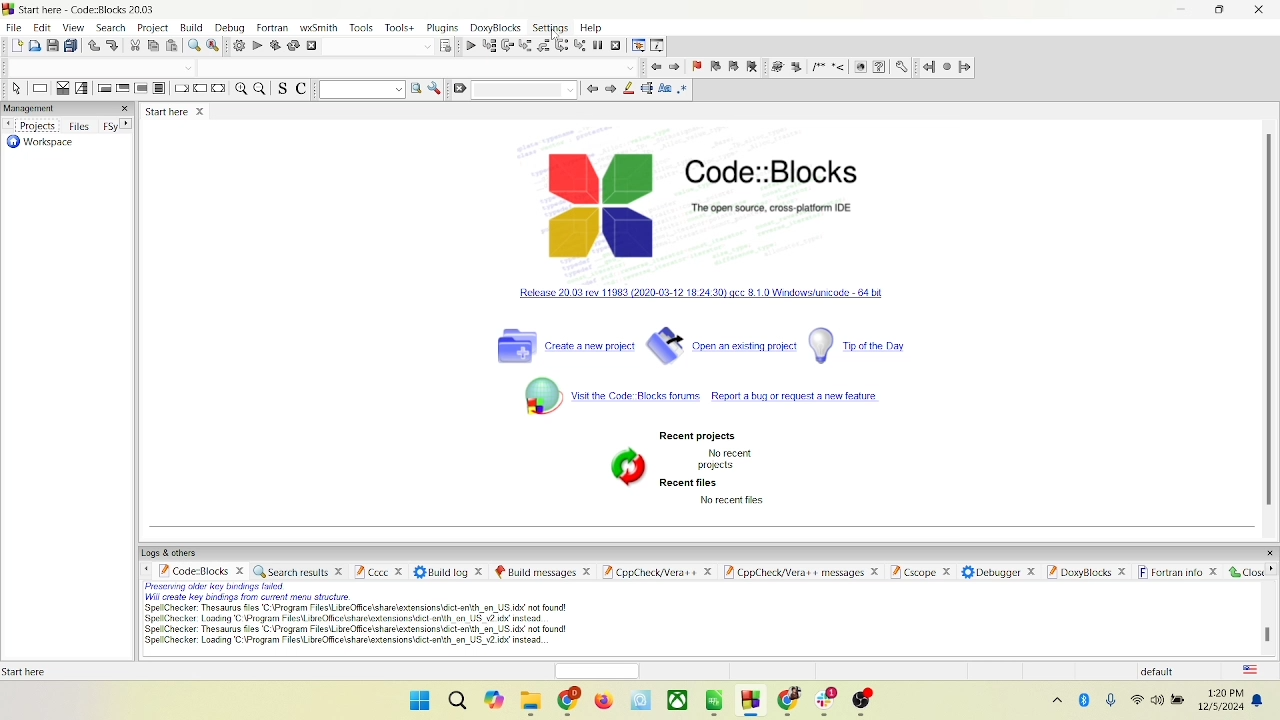  I want to click on build, so click(240, 46).